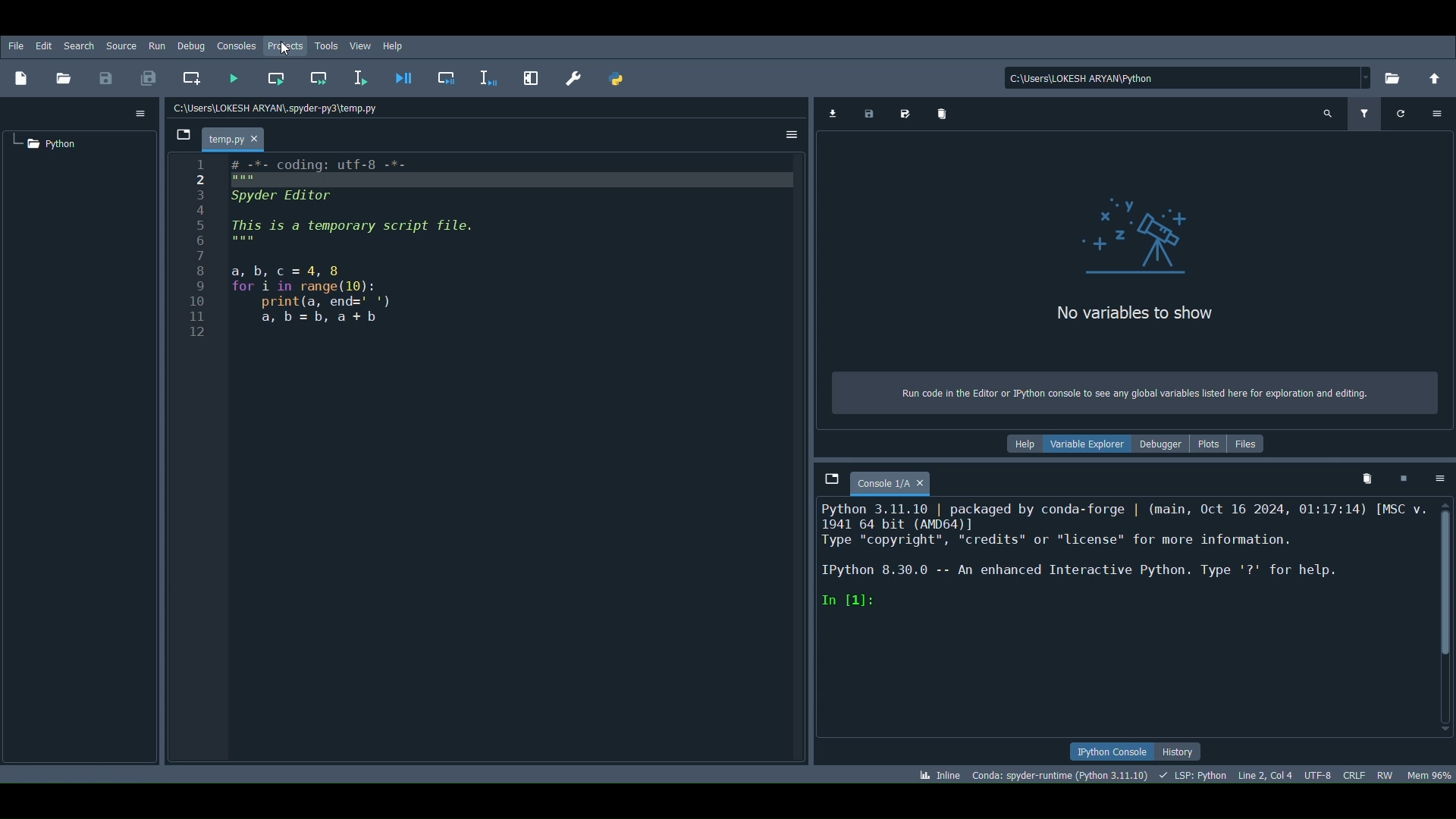 The height and width of the screenshot is (819, 1456). I want to click on Help, so click(397, 47).